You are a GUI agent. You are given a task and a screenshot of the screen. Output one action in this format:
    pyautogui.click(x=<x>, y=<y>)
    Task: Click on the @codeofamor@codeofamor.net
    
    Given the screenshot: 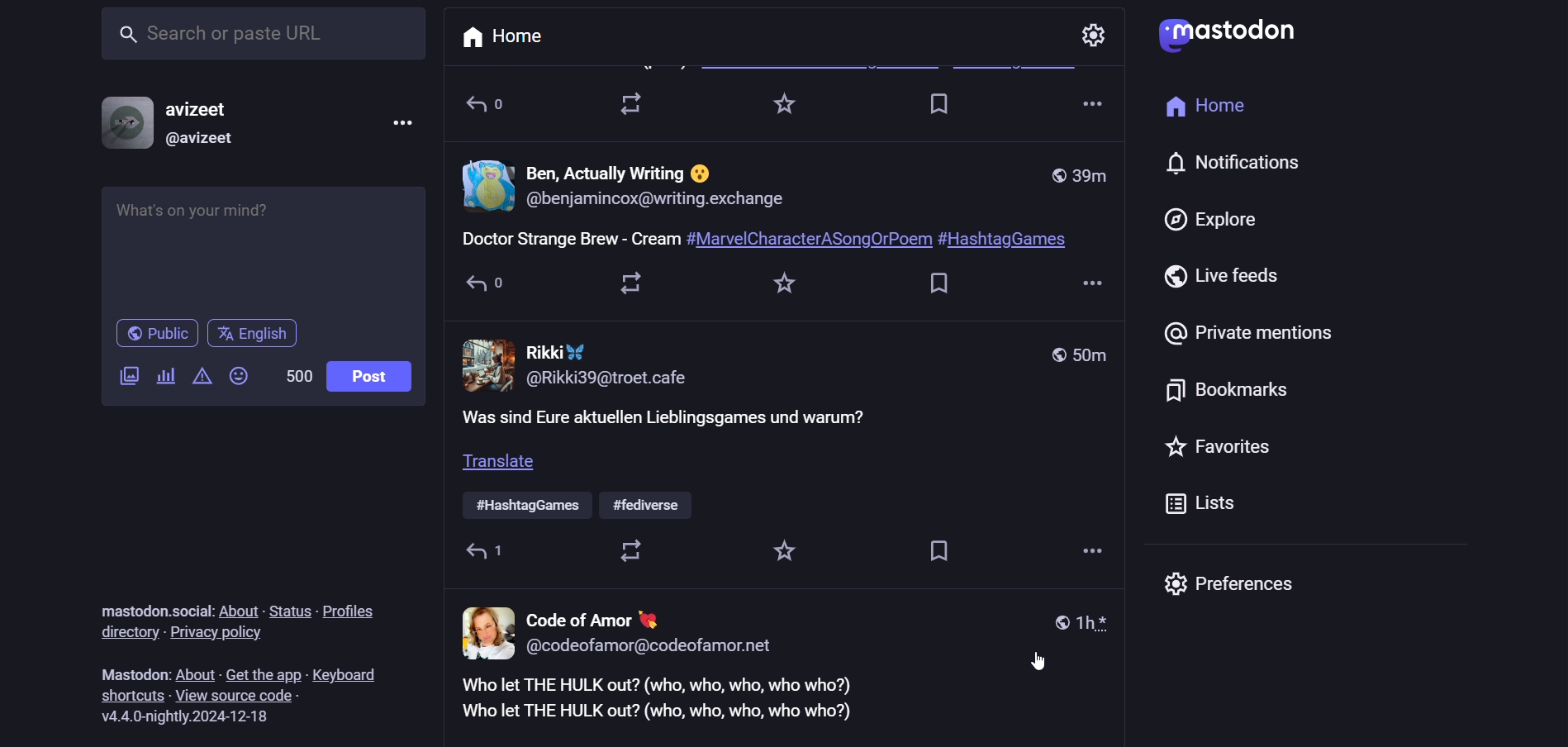 What is the action you would take?
    pyautogui.click(x=653, y=649)
    